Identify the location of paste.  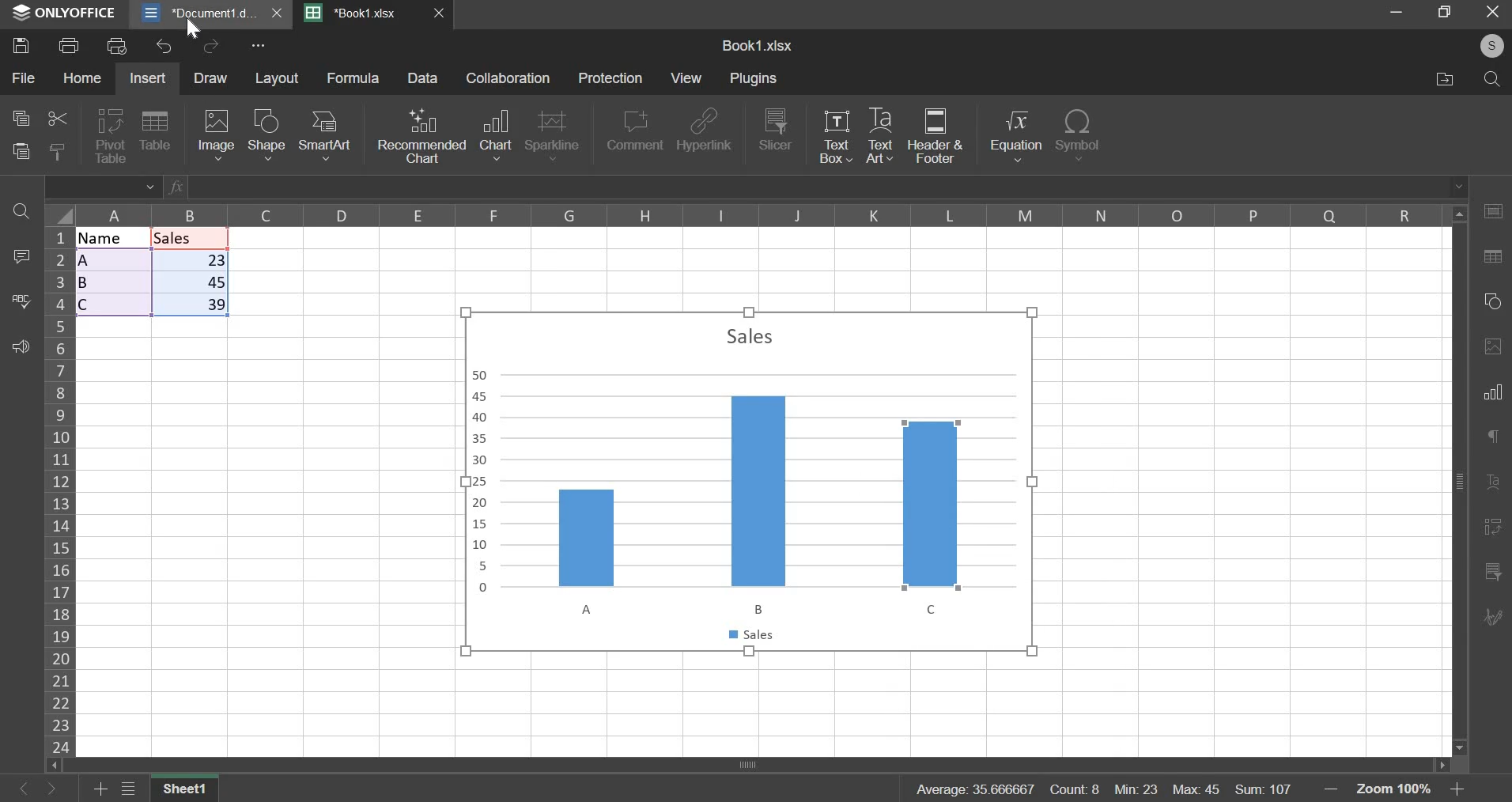
(22, 151).